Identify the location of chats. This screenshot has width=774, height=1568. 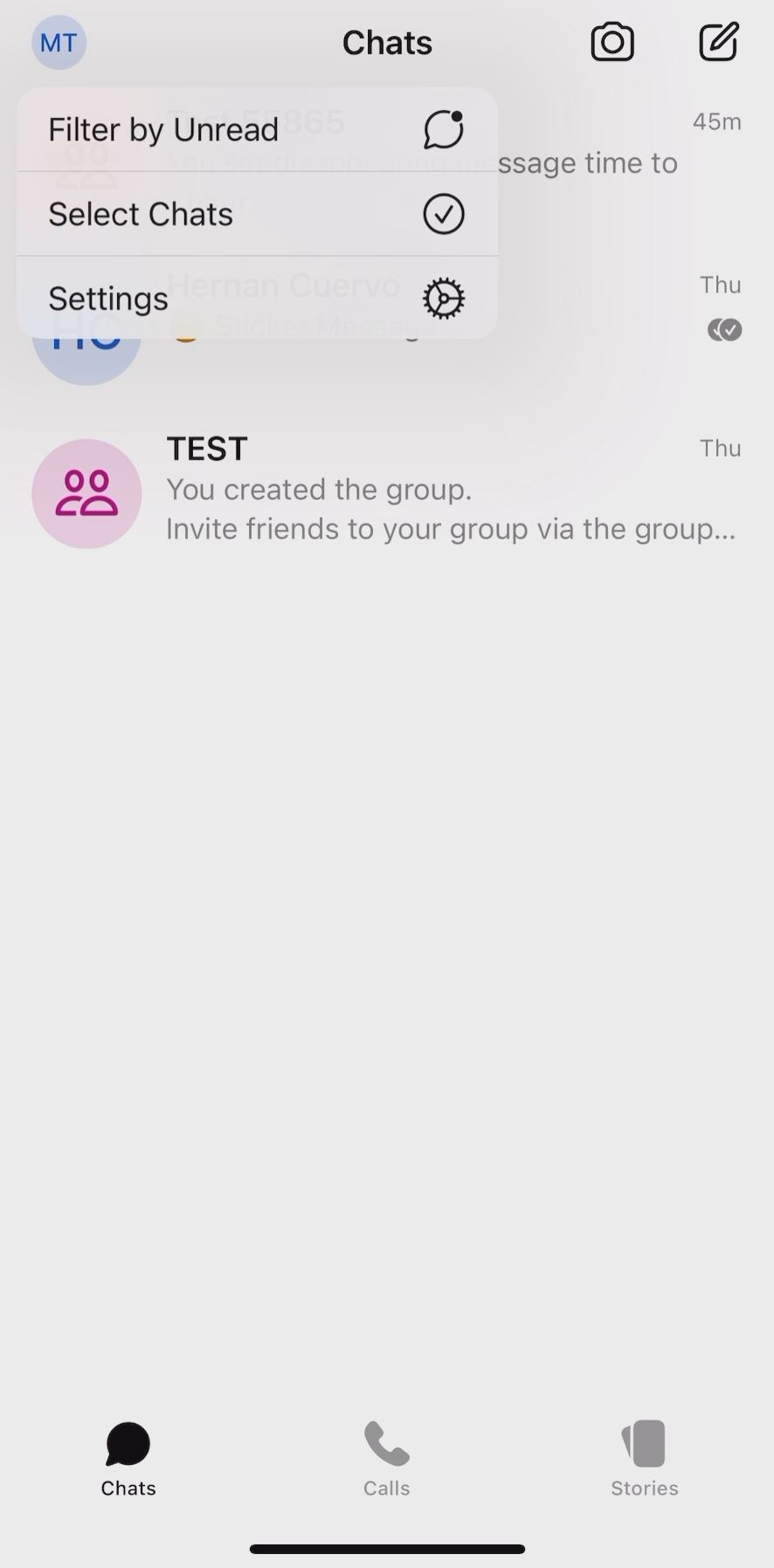
(387, 44).